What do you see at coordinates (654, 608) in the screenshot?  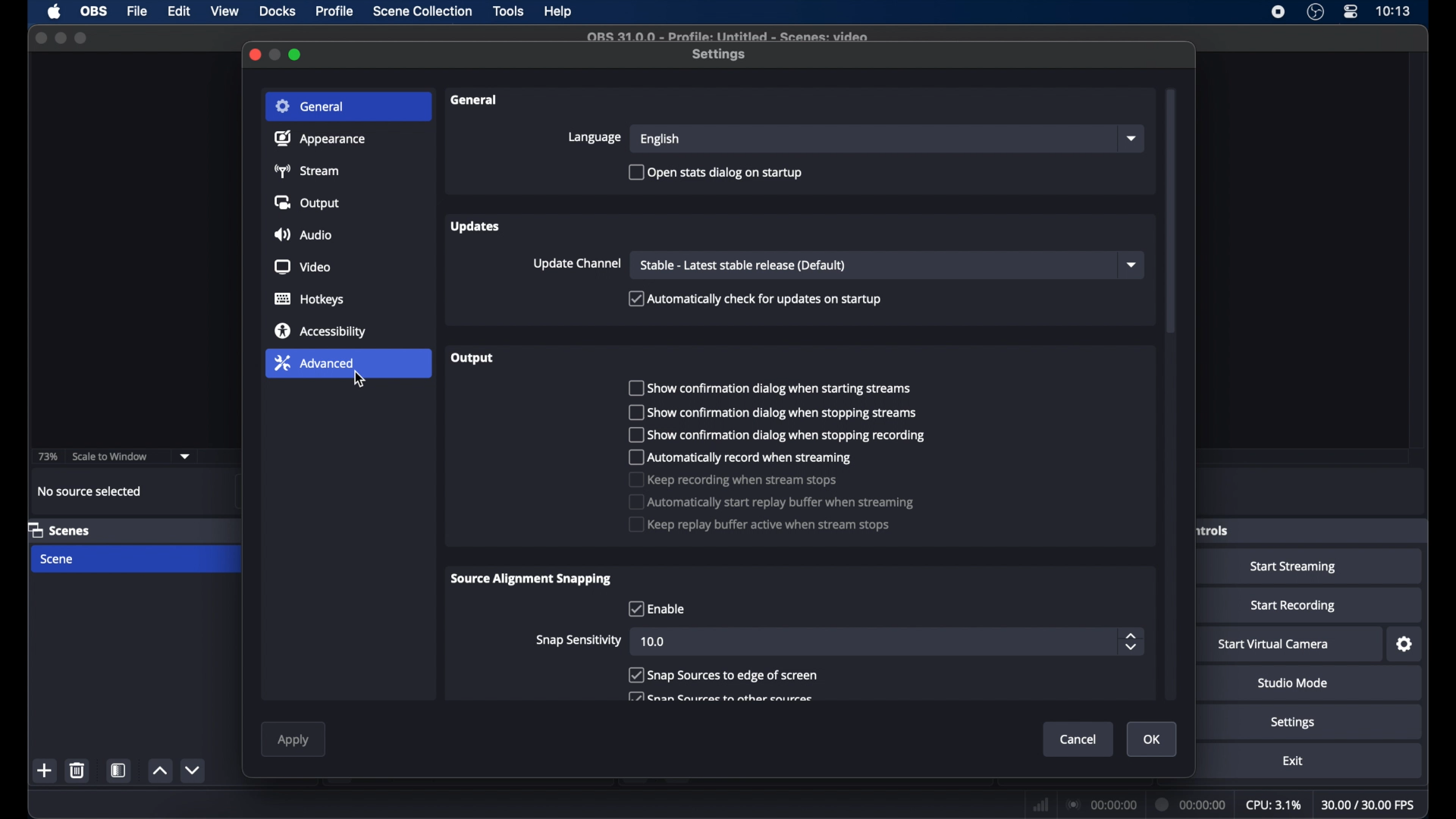 I see `checkbox` at bounding box center [654, 608].